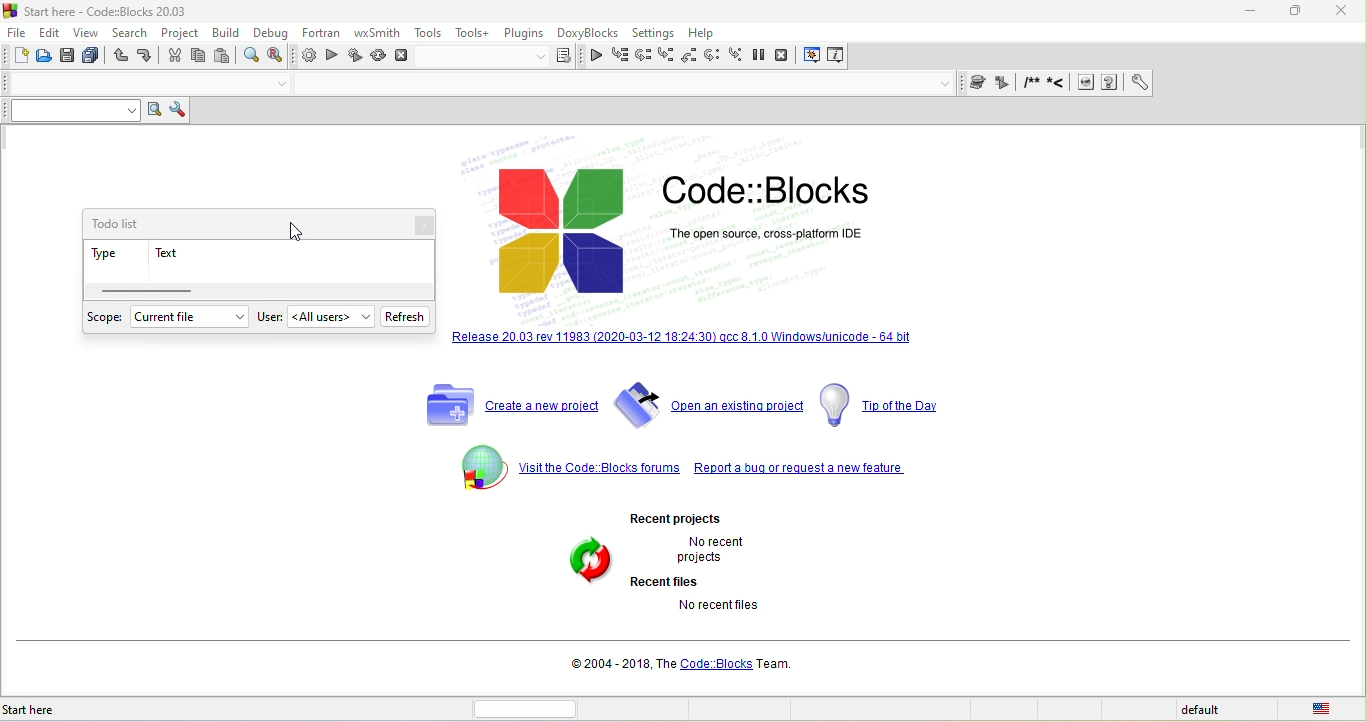  What do you see at coordinates (837, 57) in the screenshot?
I see `various info` at bounding box center [837, 57].